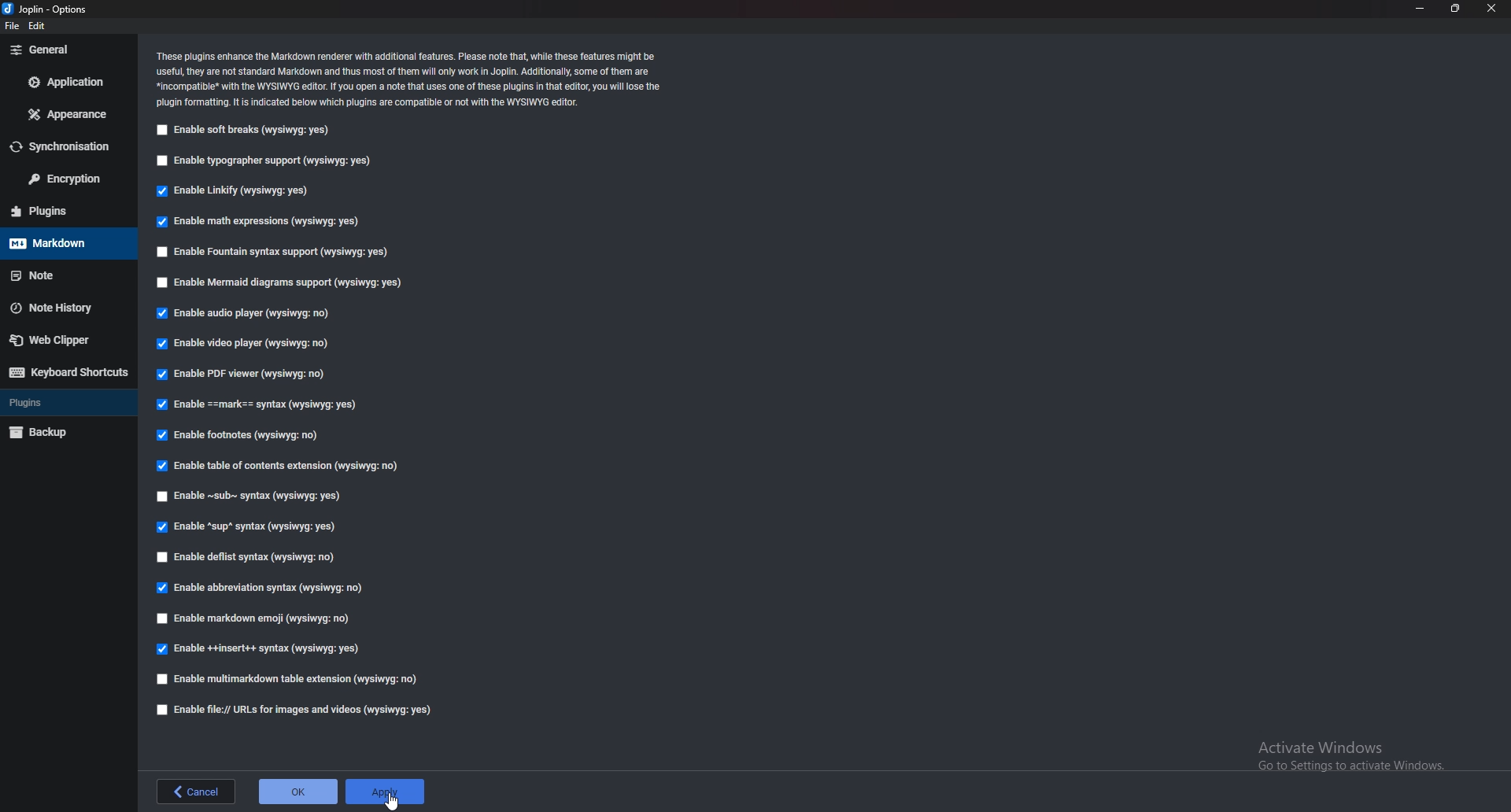 The height and width of the screenshot is (812, 1511). I want to click on enable sup syntax, so click(246, 526).